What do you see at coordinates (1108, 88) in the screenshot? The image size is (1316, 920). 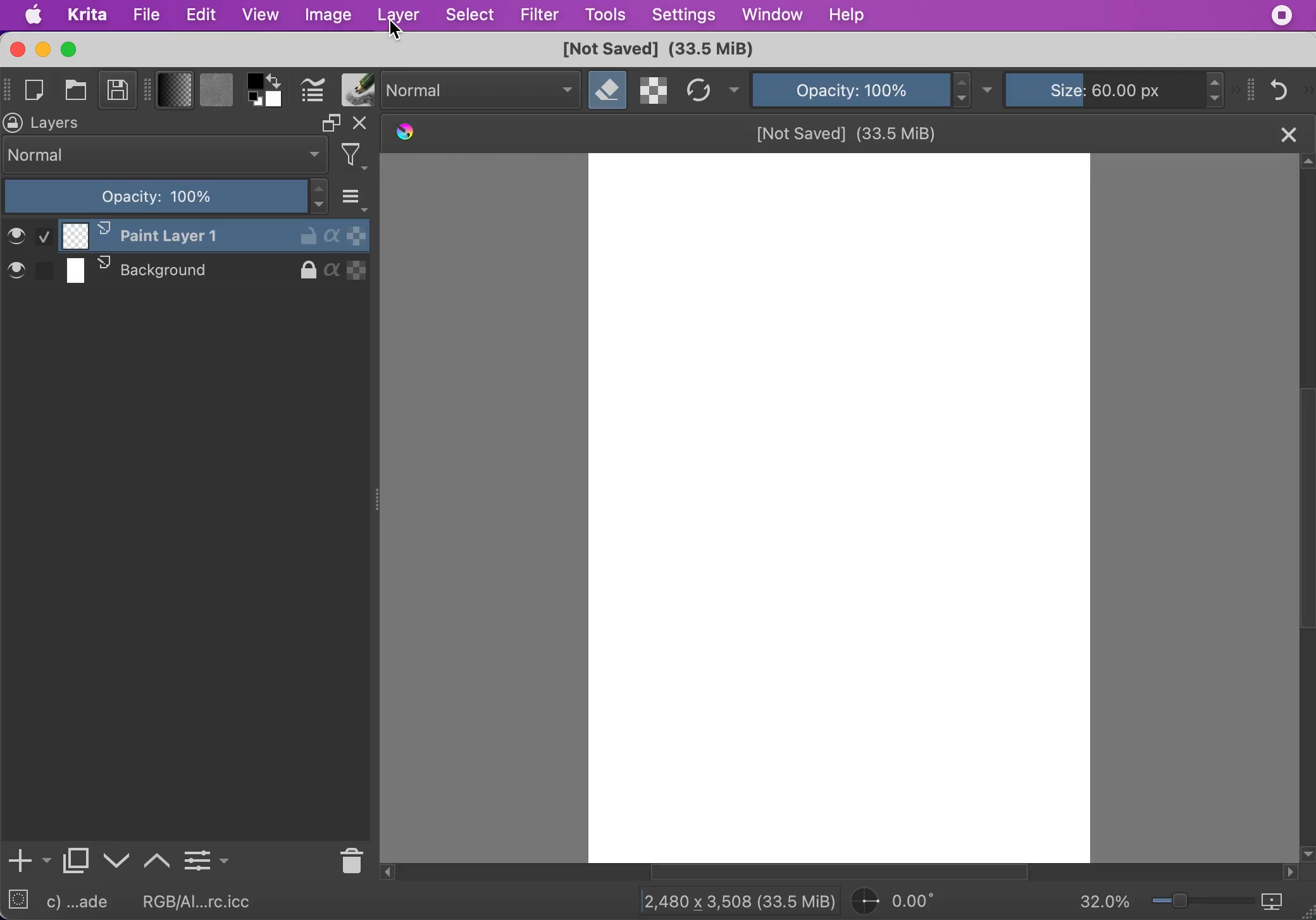 I see `size` at bounding box center [1108, 88].